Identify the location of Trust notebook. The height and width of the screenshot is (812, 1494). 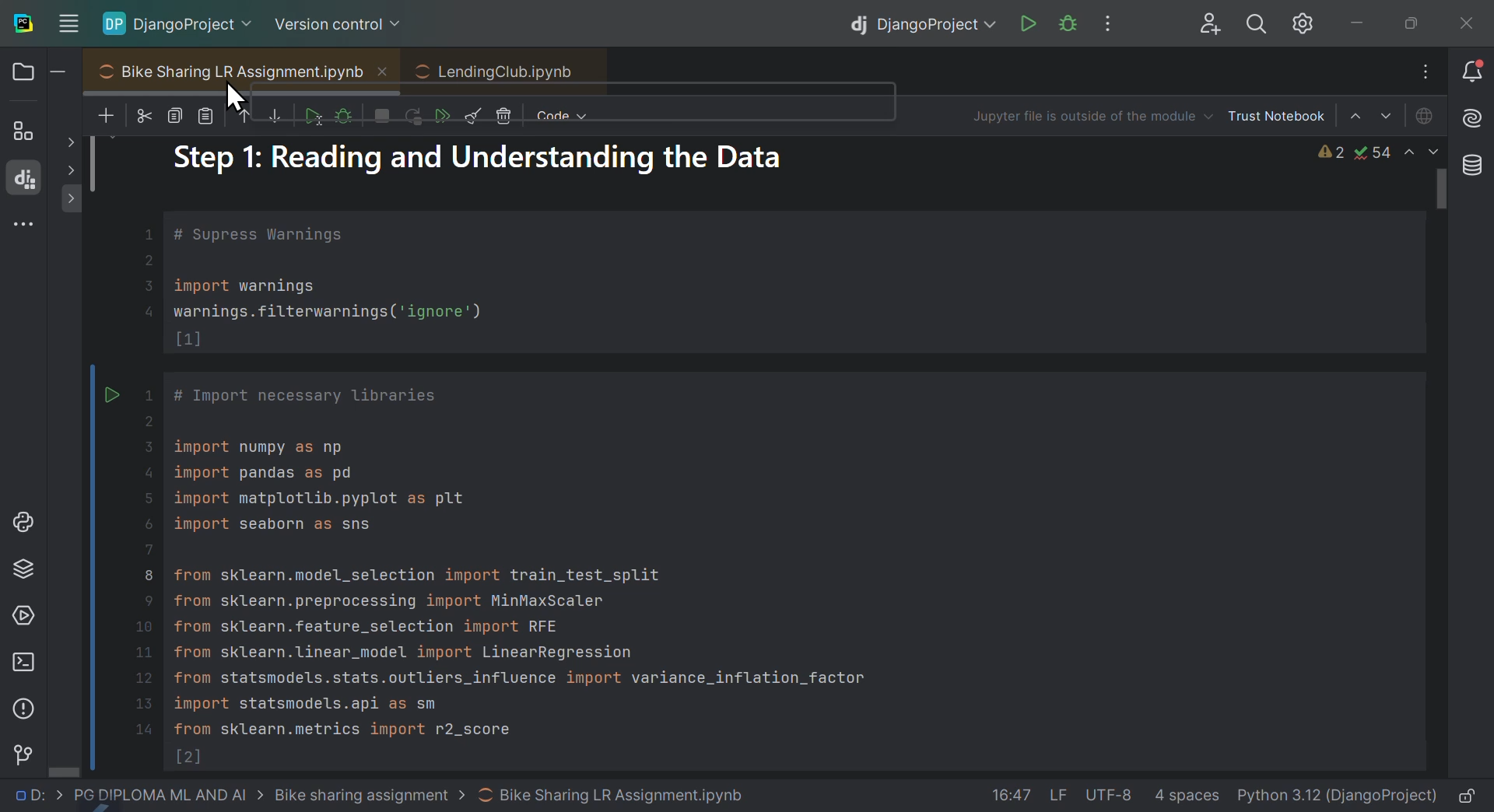
(1277, 119).